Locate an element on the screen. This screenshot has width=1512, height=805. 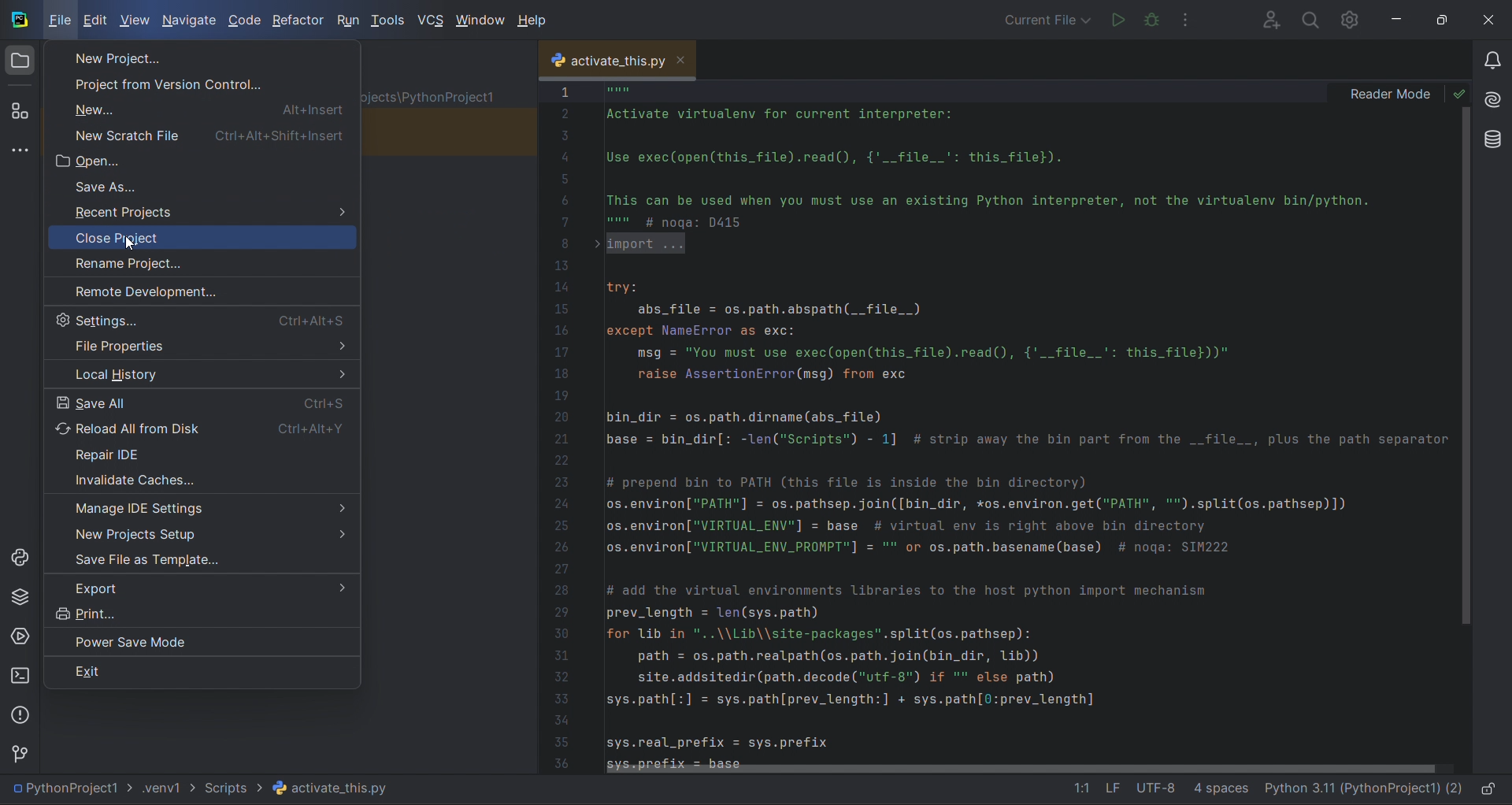
project from version control is located at coordinates (206, 83).